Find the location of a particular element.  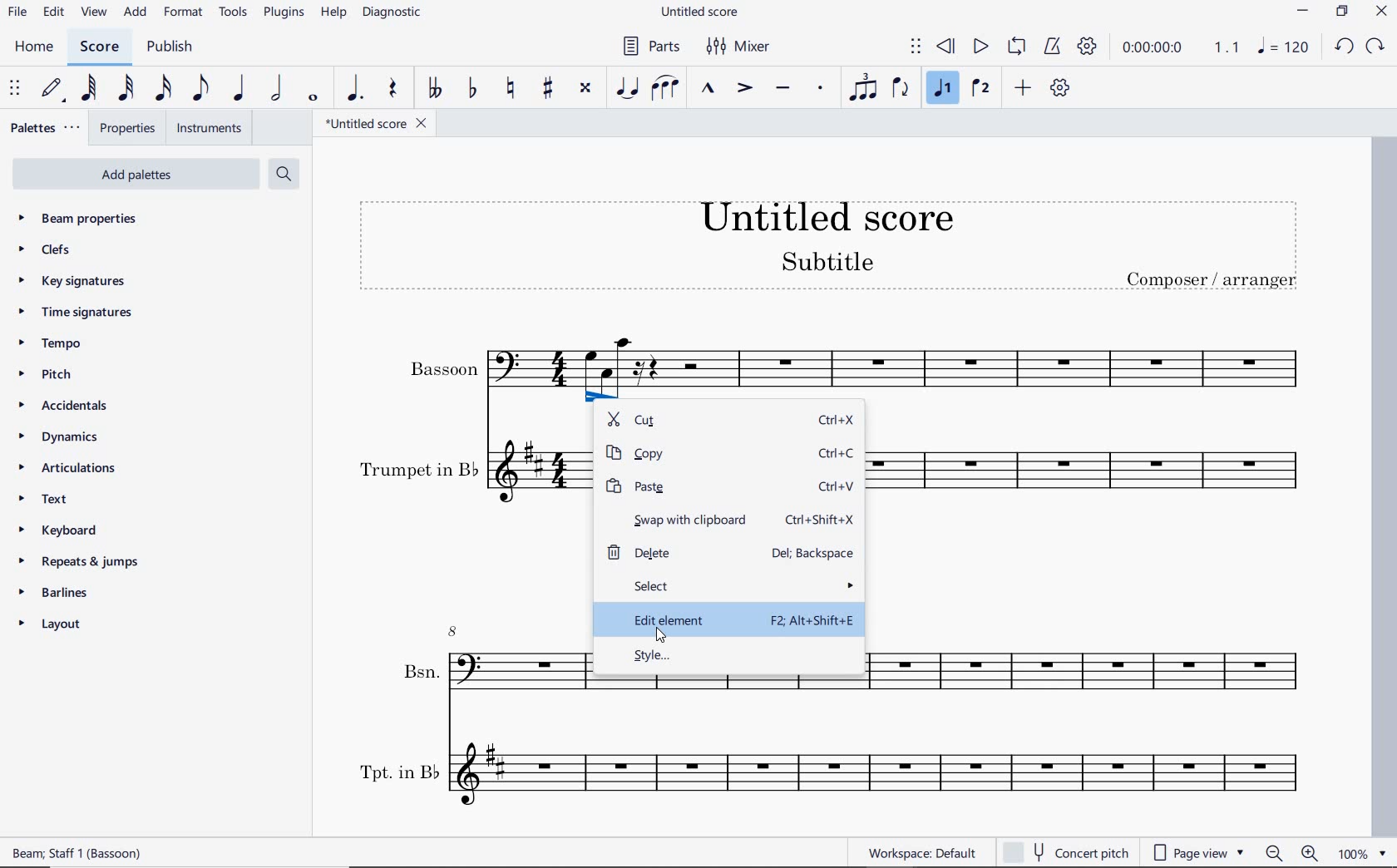

search palettes is located at coordinates (285, 174).